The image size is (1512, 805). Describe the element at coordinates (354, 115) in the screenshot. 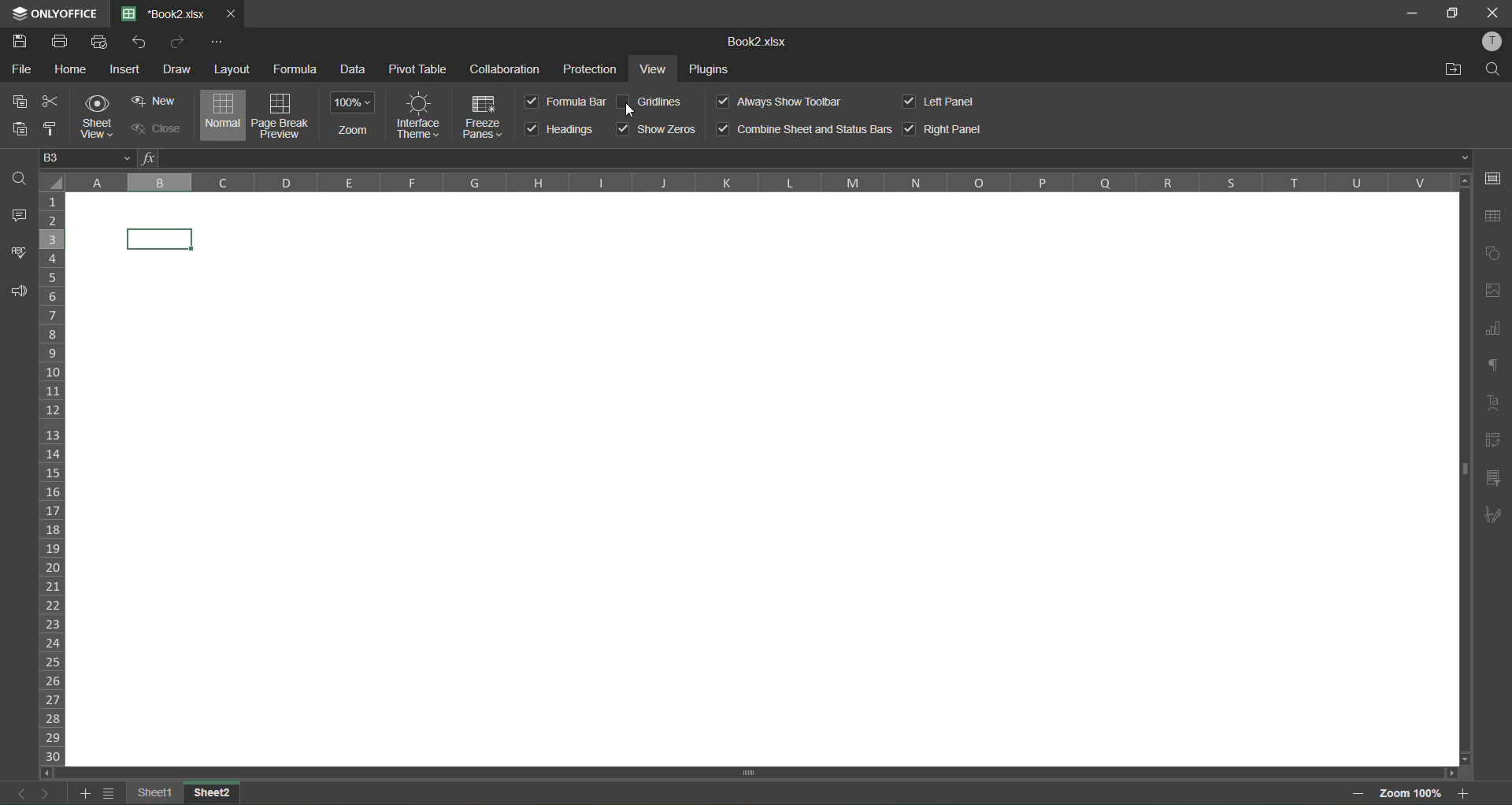

I see `zoom` at that location.